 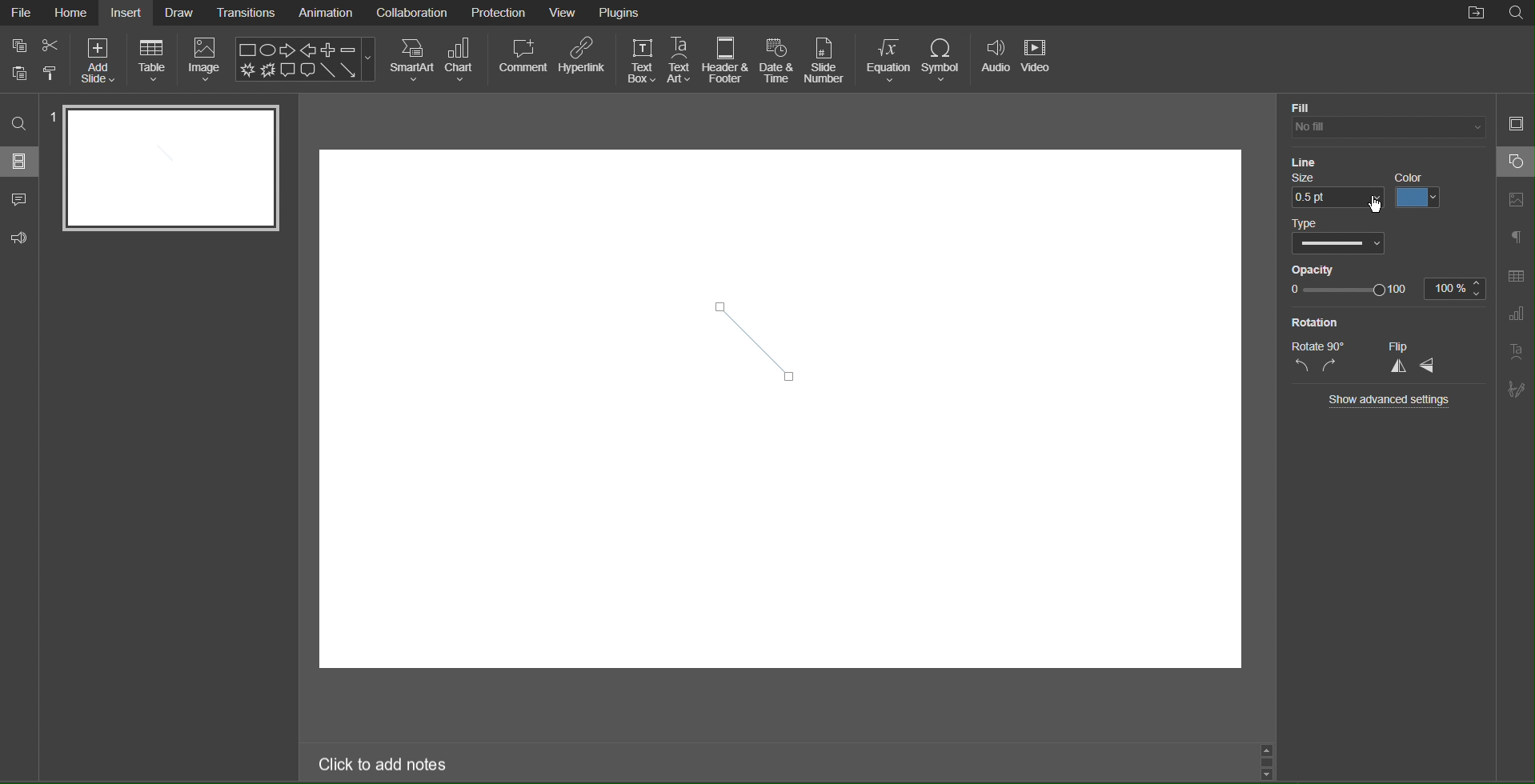 What do you see at coordinates (21, 161) in the screenshot?
I see `Slides` at bounding box center [21, 161].